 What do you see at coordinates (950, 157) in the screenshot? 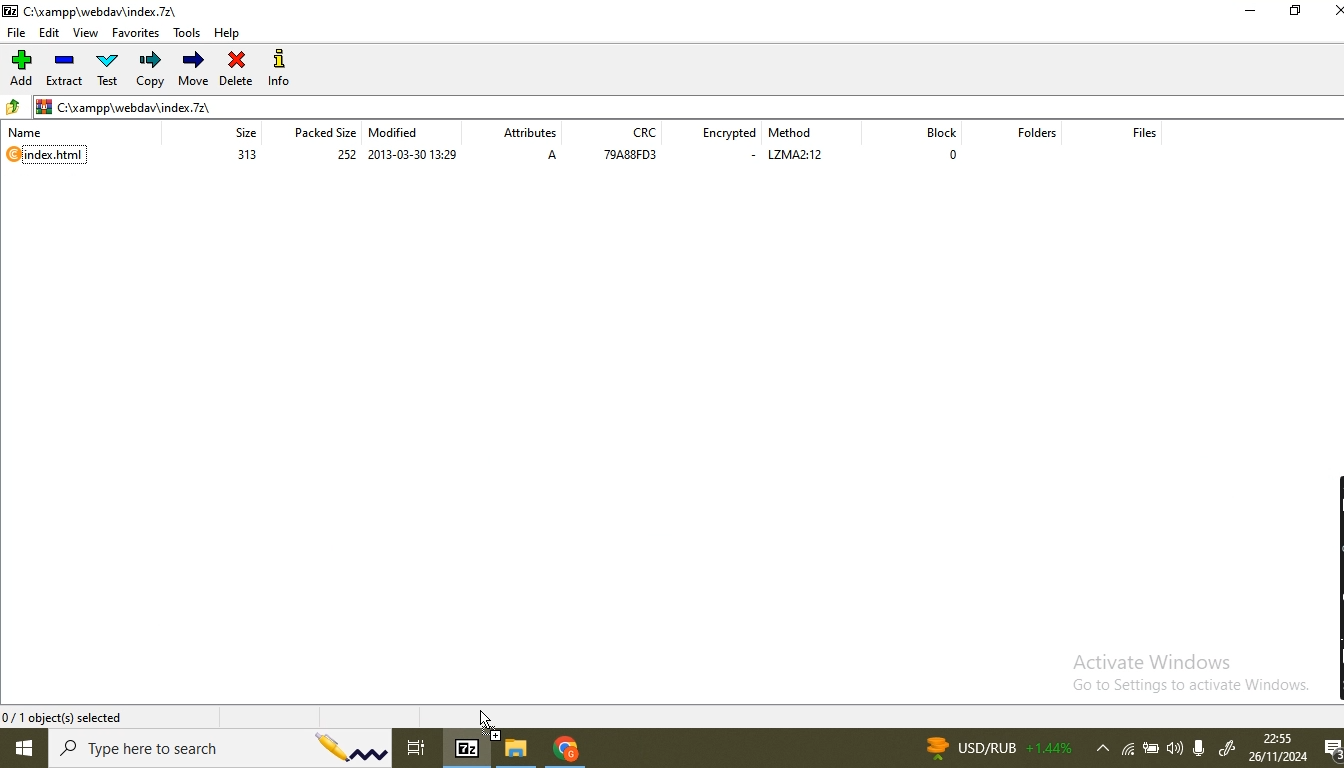
I see `0` at bounding box center [950, 157].